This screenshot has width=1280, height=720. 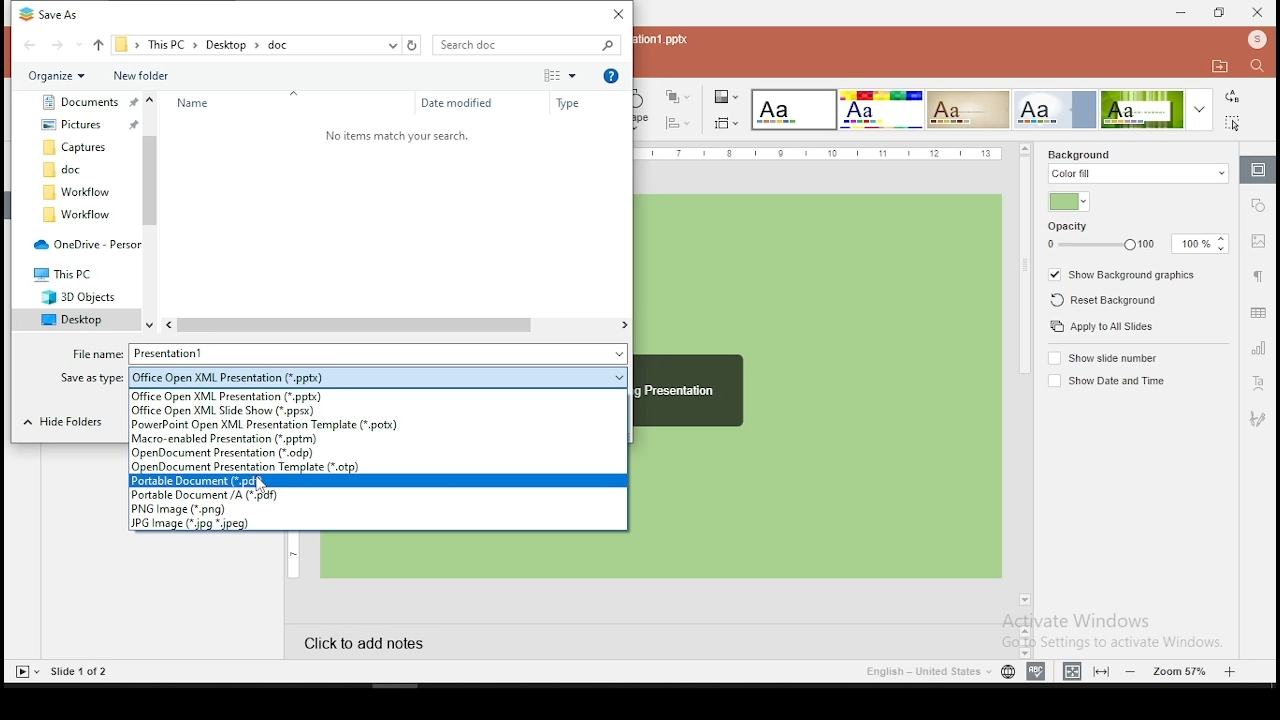 I want to click on Name, so click(x=202, y=102).